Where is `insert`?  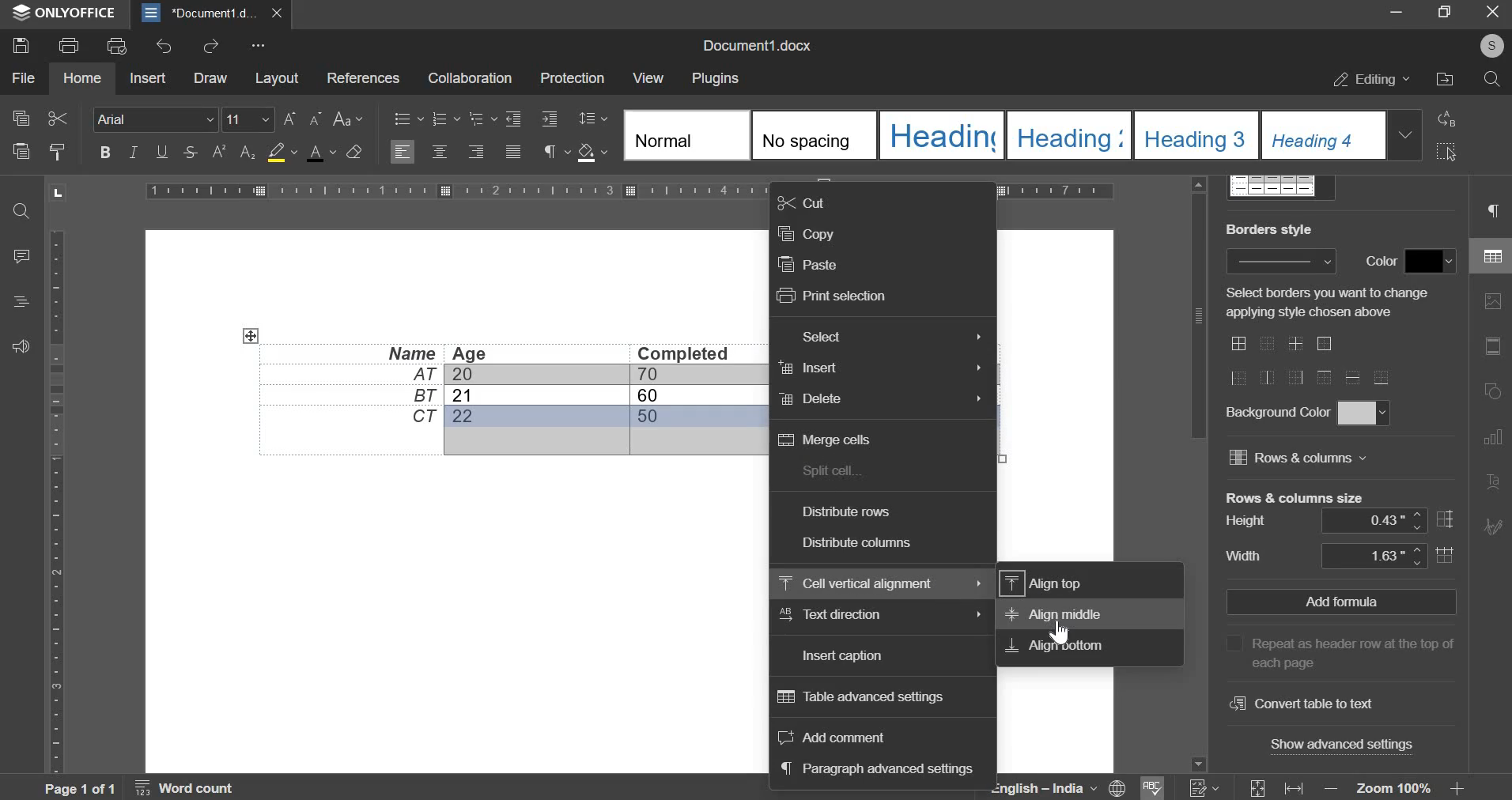 insert is located at coordinates (808, 368).